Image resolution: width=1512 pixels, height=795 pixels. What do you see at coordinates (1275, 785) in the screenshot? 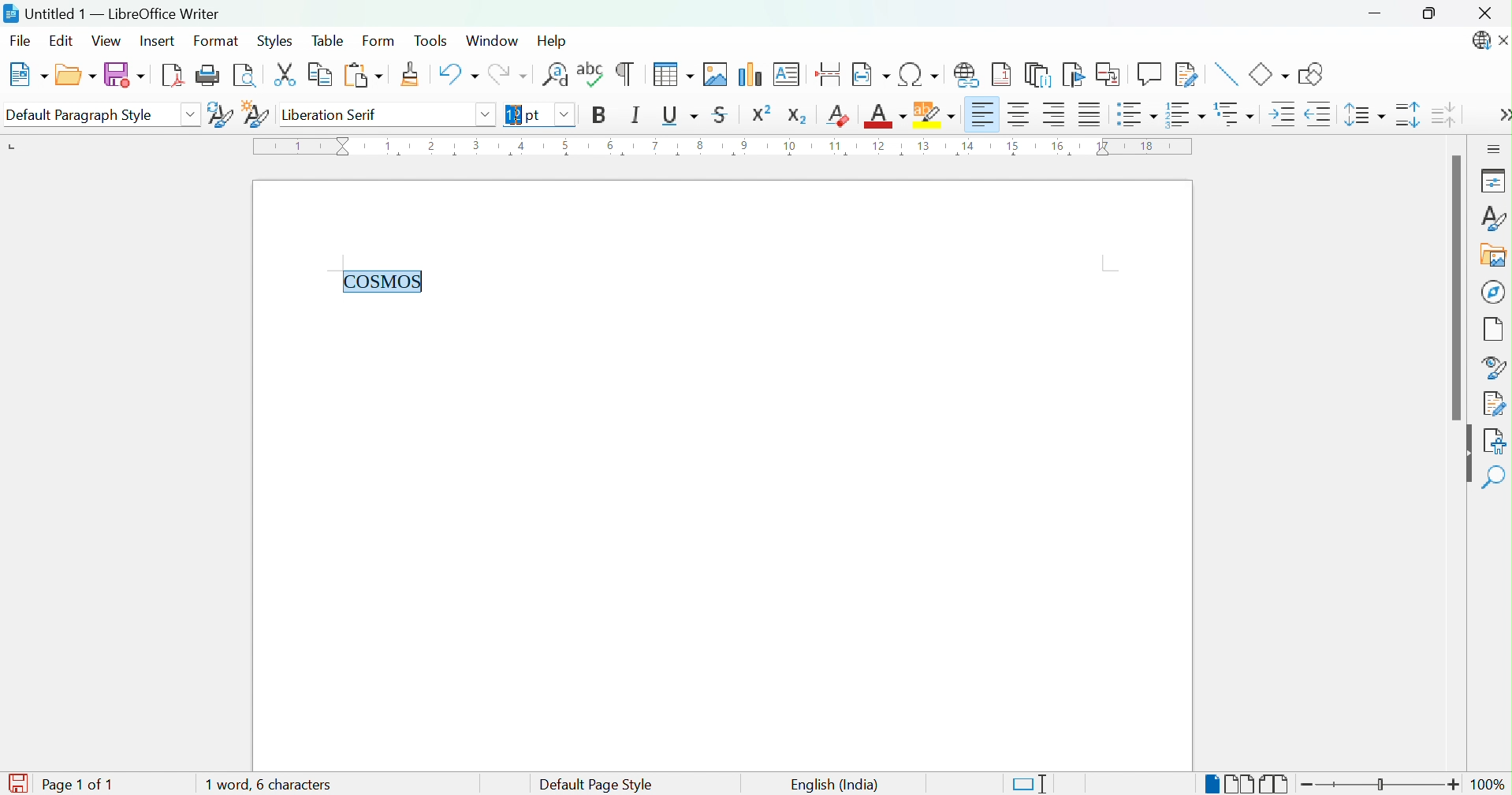
I see `Book view` at bounding box center [1275, 785].